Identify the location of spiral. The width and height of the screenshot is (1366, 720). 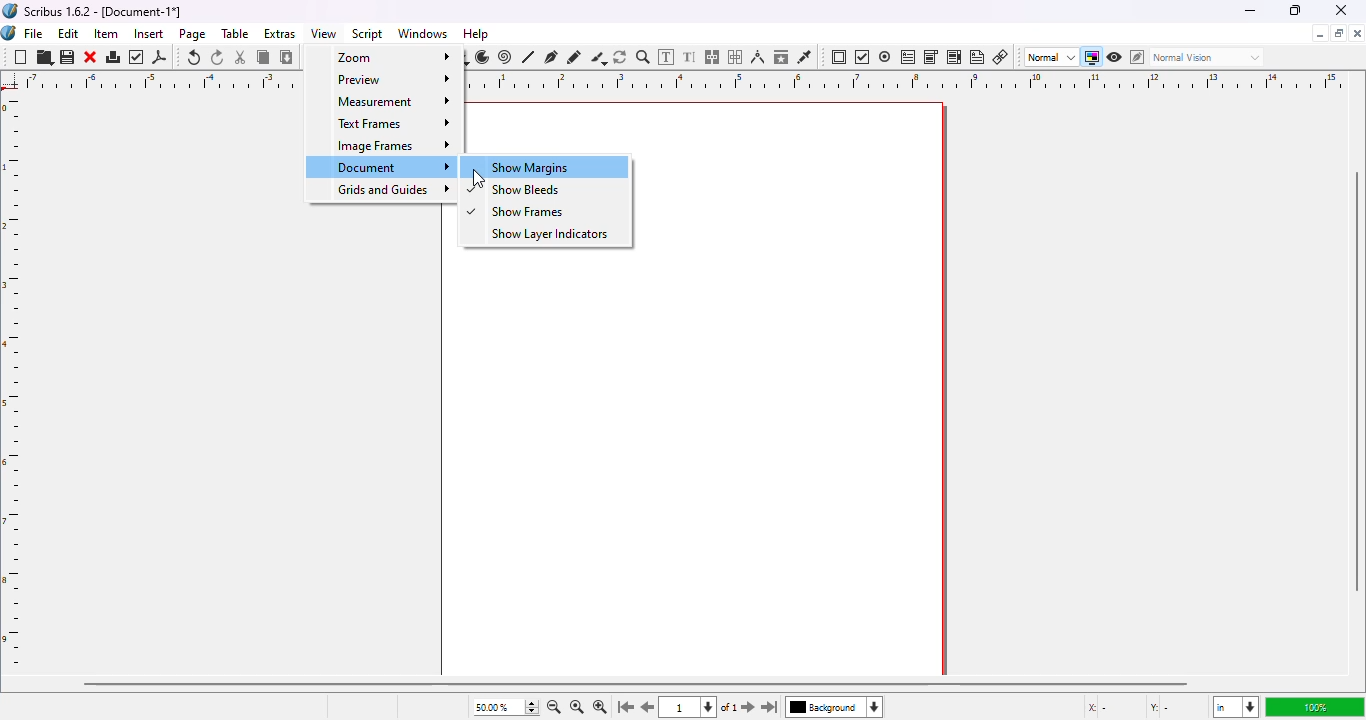
(505, 57).